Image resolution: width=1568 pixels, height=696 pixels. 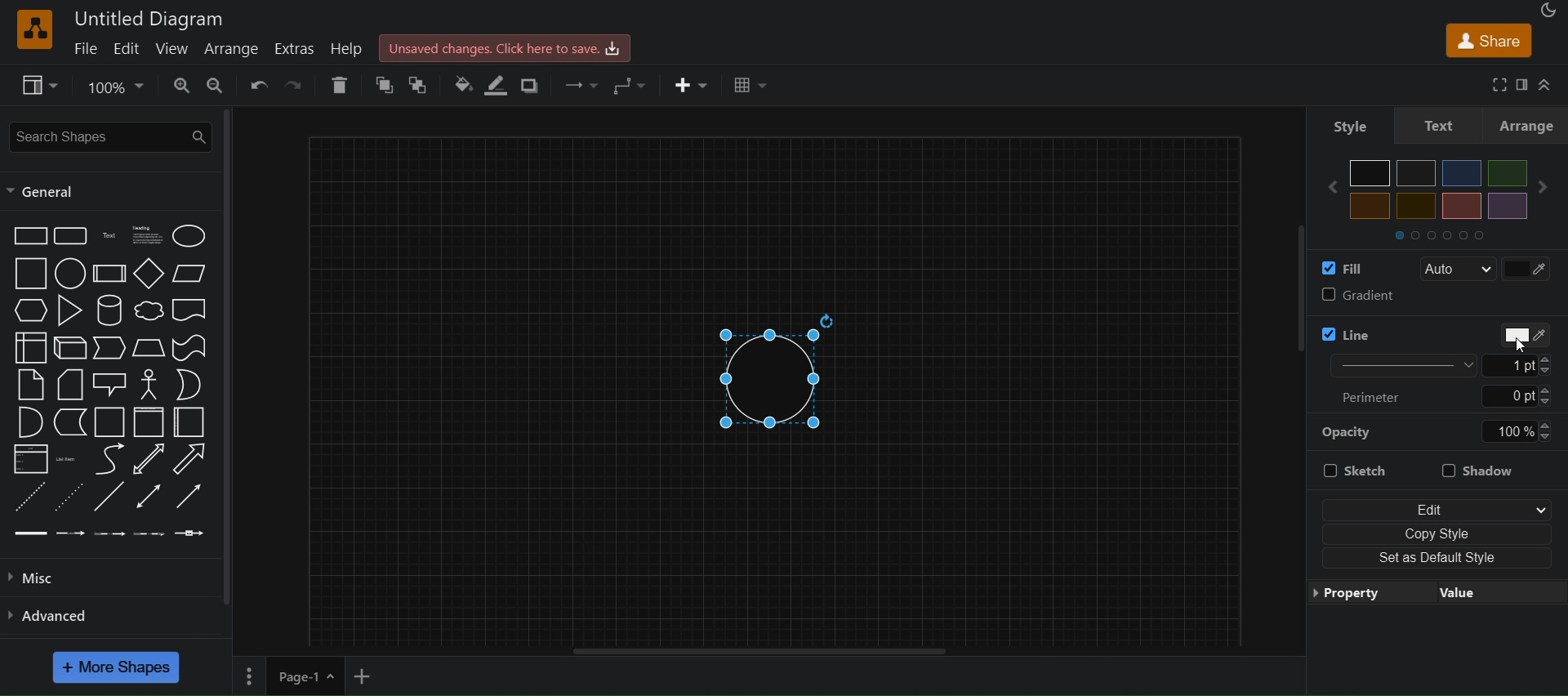 What do you see at coordinates (72, 422) in the screenshot?
I see `data storage` at bounding box center [72, 422].